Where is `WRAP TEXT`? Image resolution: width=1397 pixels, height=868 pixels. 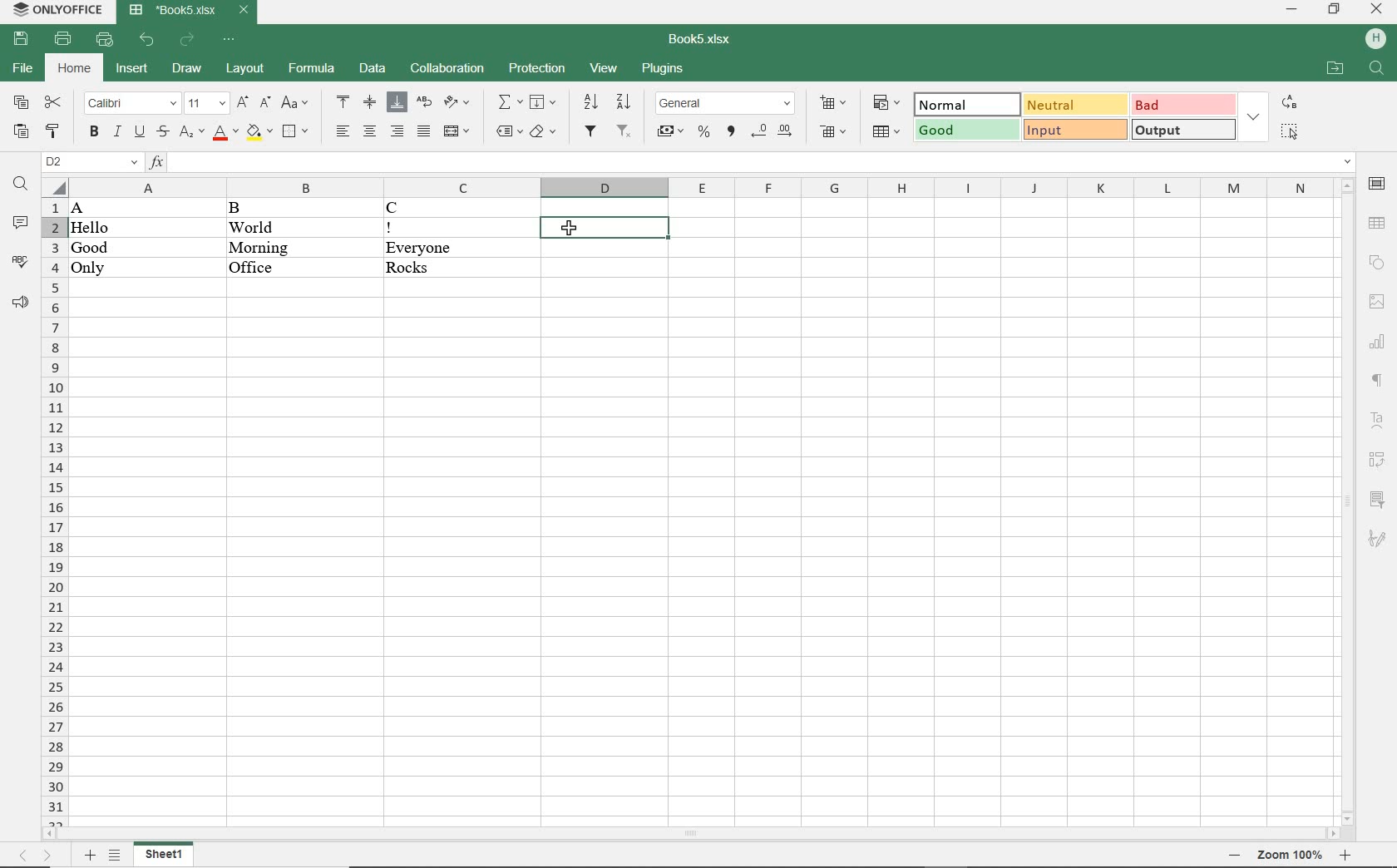
WRAP TEXT is located at coordinates (422, 102).